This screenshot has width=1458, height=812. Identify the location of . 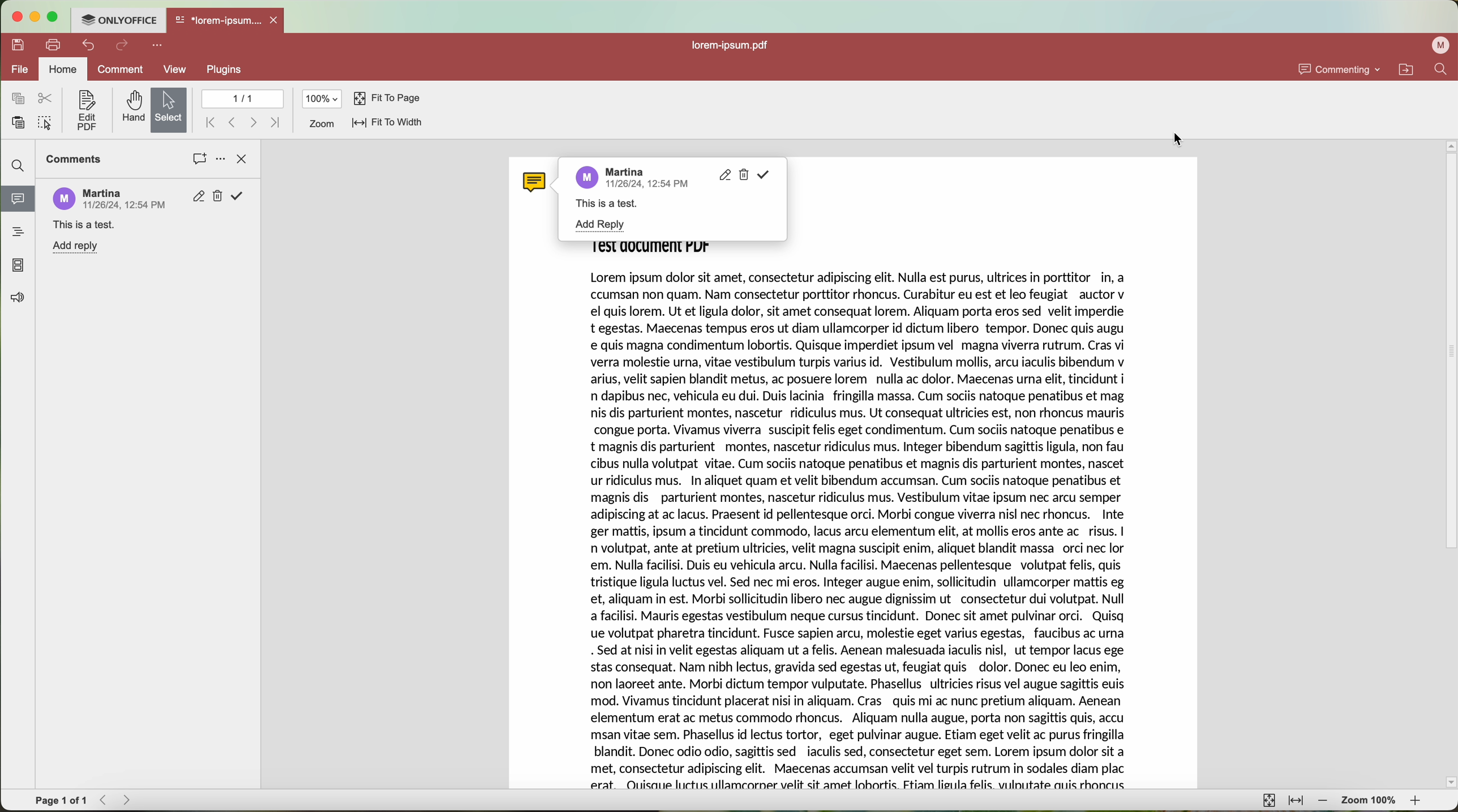
(867, 535).